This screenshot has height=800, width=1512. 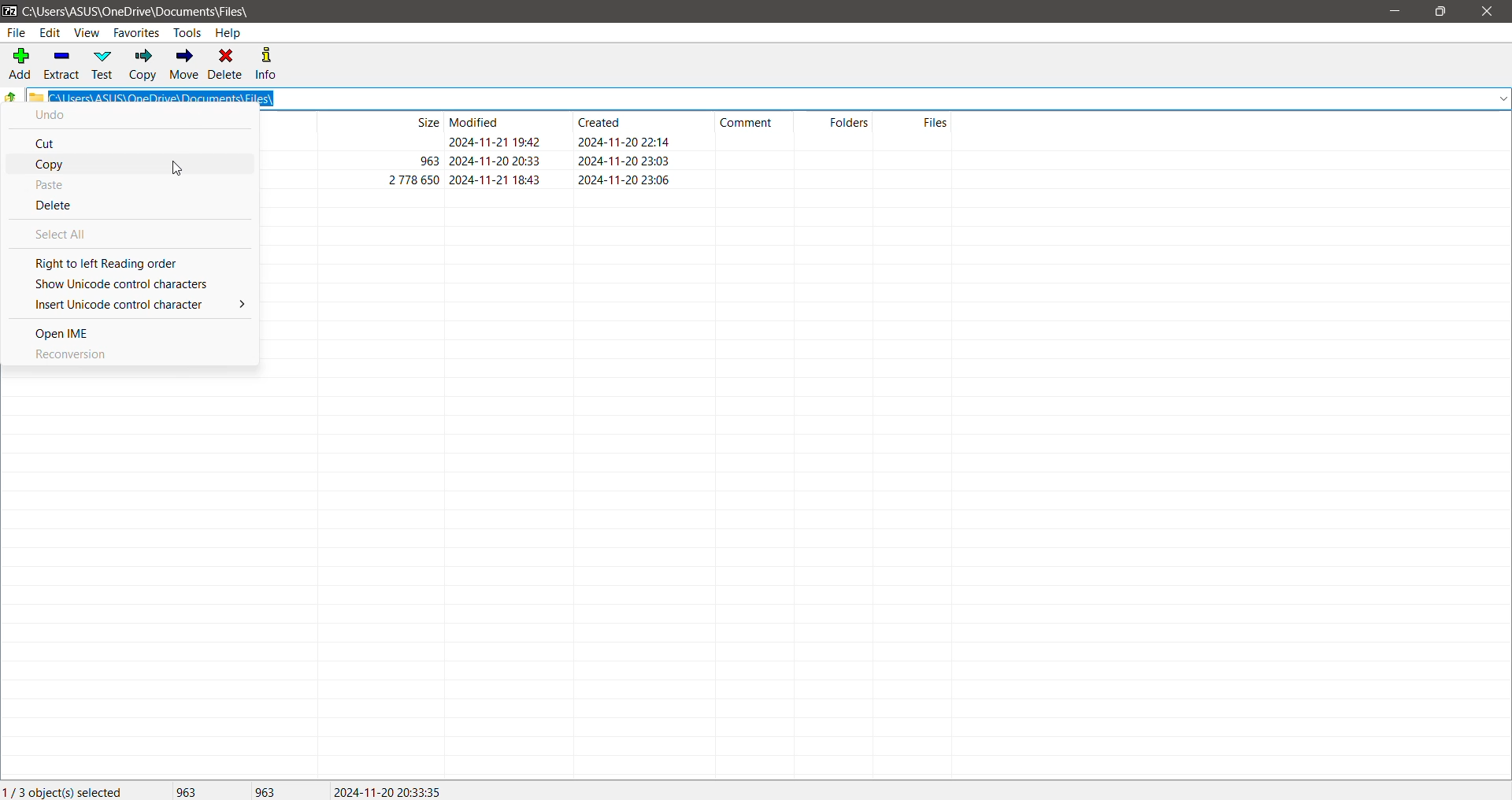 What do you see at coordinates (1442, 12) in the screenshot?
I see `Restore Down` at bounding box center [1442, 12].